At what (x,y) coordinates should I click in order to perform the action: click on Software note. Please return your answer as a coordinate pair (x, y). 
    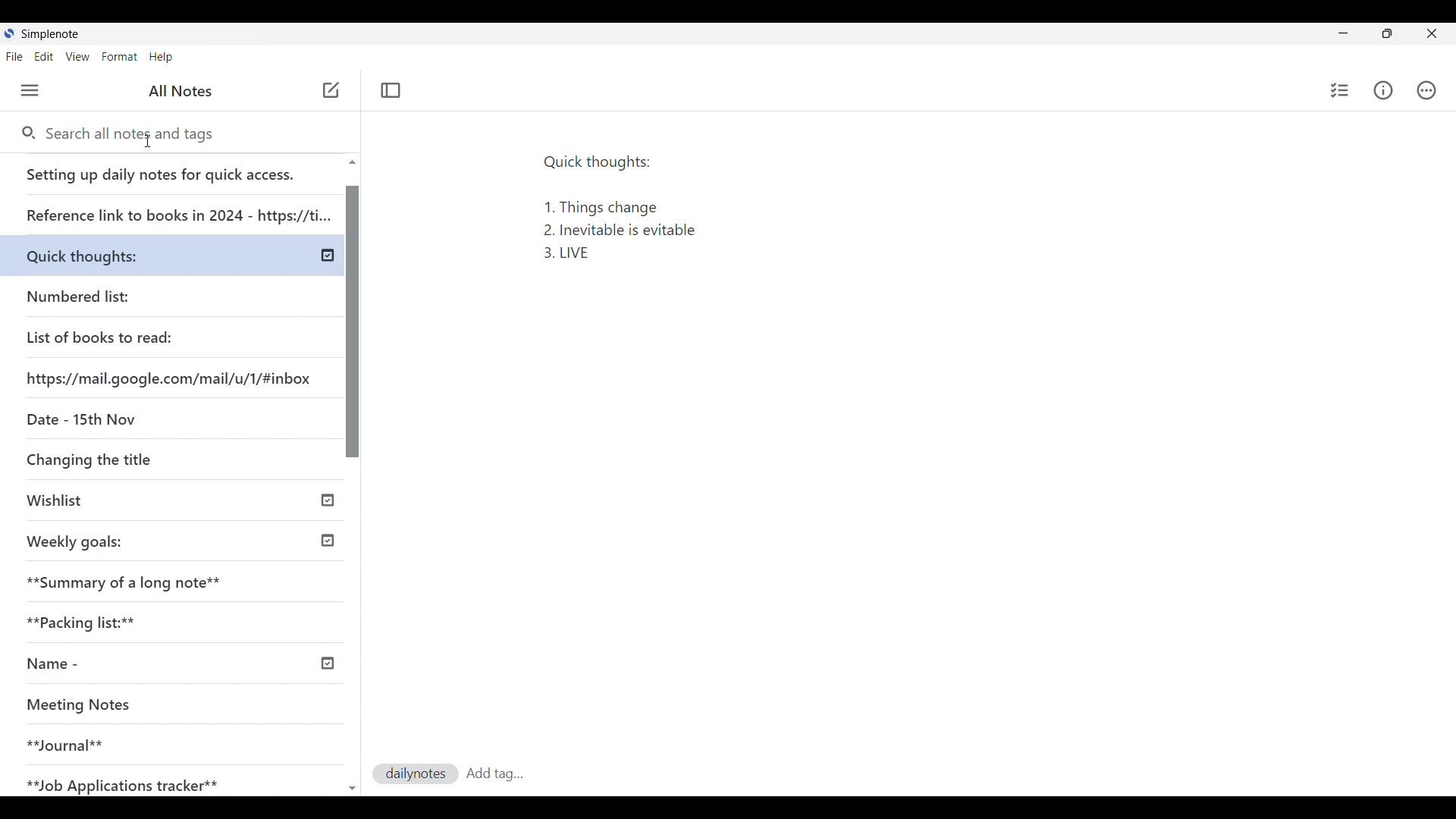
    Looking at the image, I should click on (55, 33).